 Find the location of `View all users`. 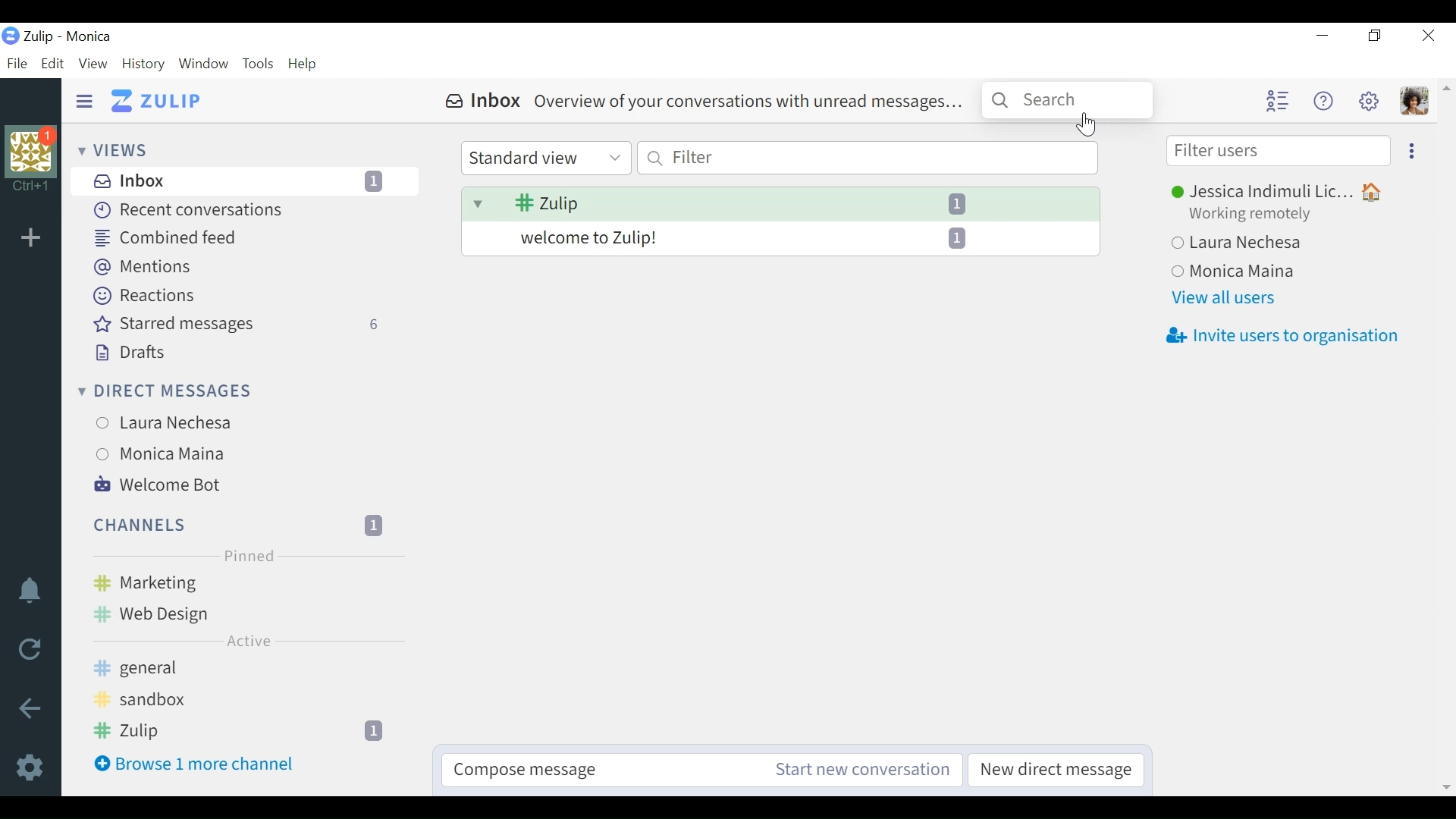

View all users is located at coordinates (1235, 298).